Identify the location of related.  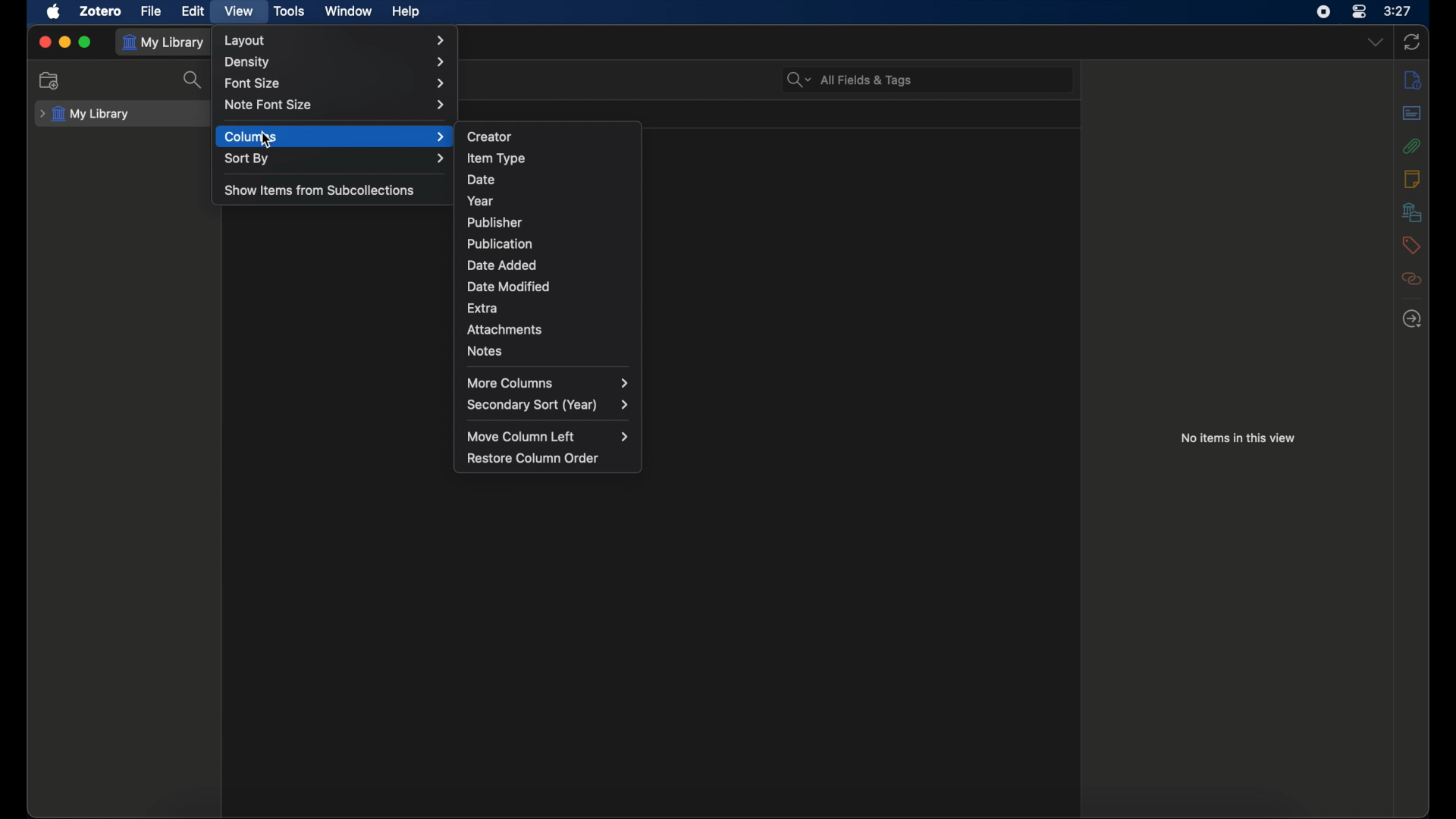
(1412, 278).